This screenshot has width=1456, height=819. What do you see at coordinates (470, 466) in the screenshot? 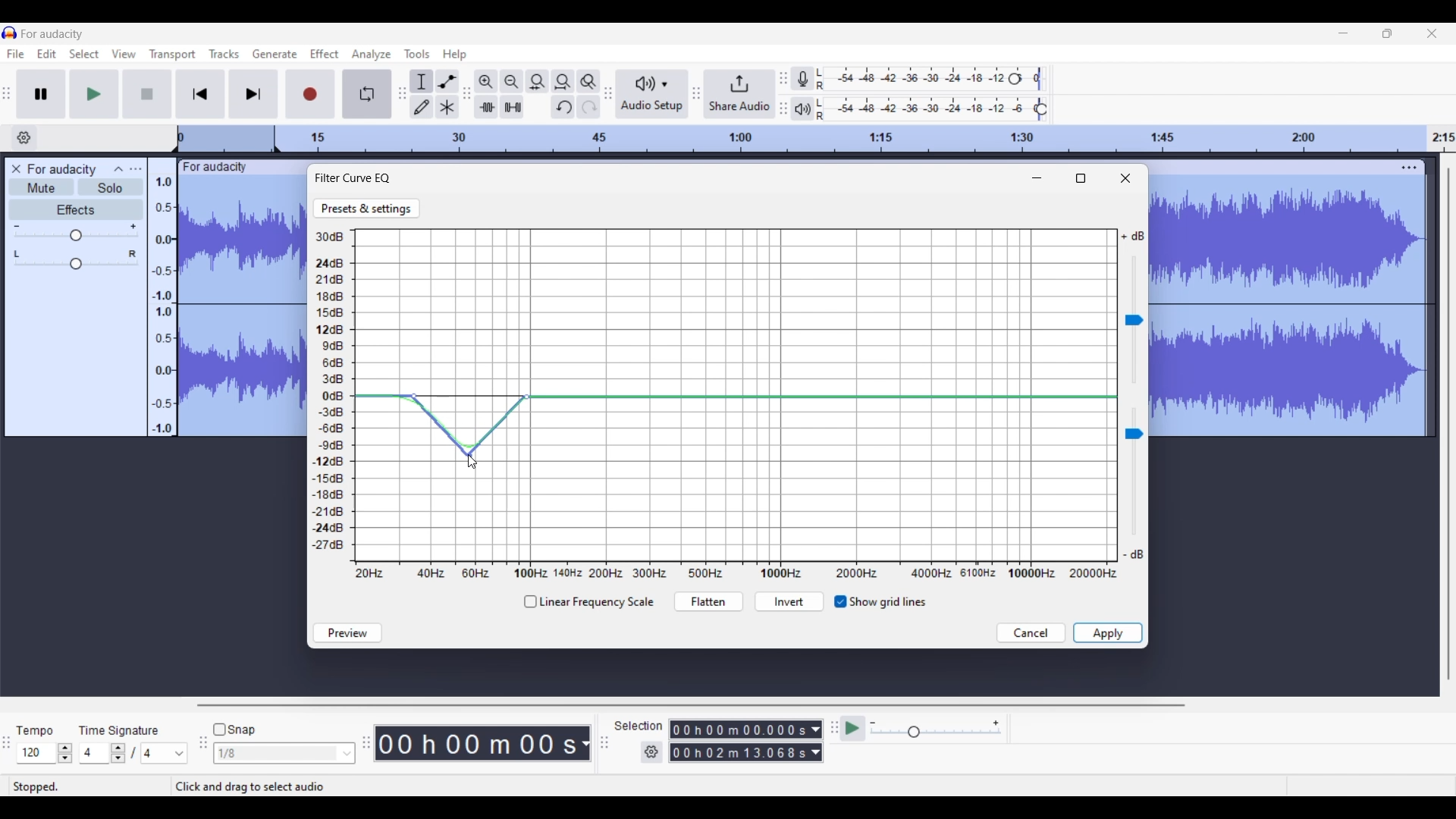
I see `Cursor clicking on curve` at bounding box center [470, 466].